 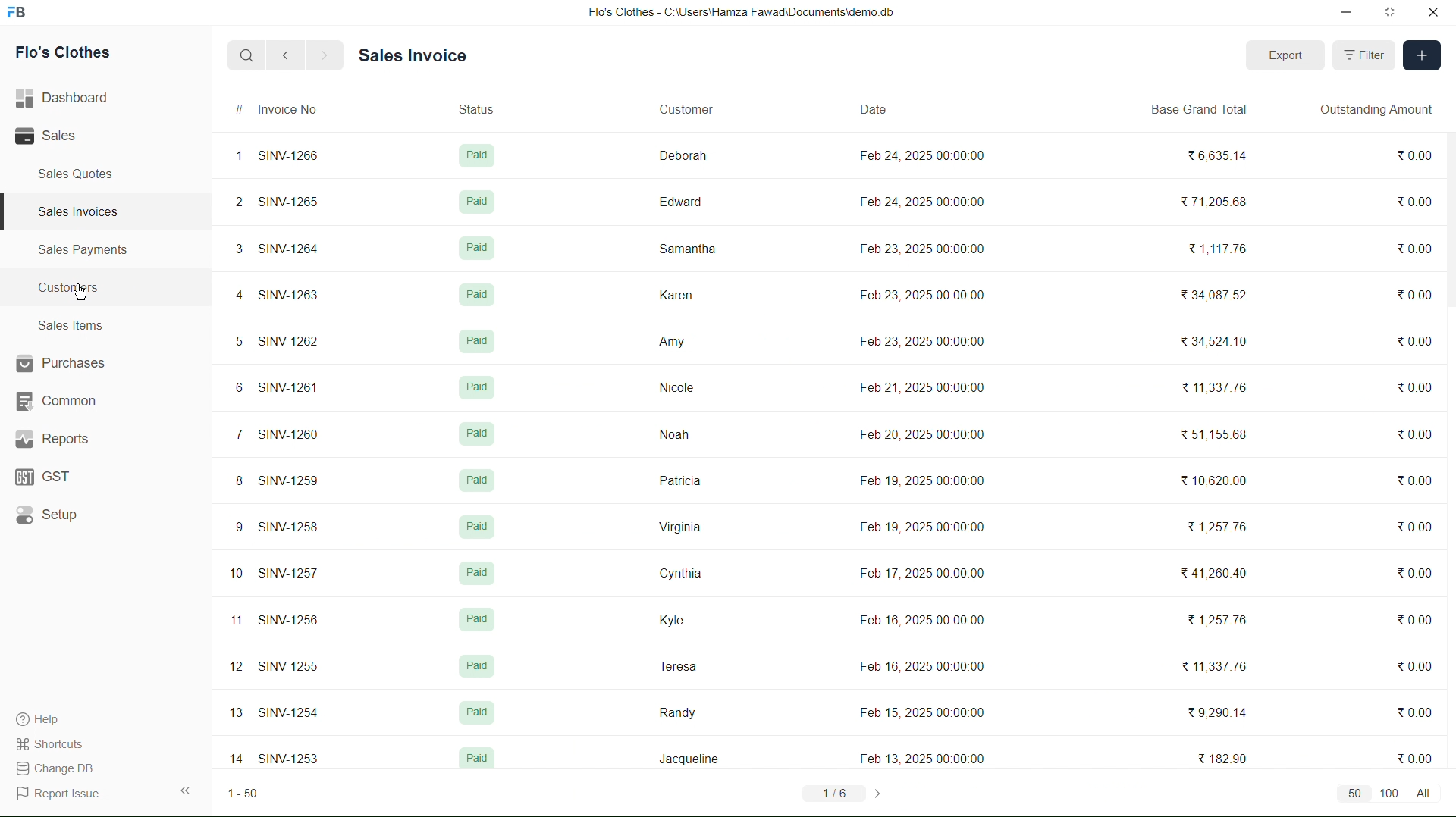 What do you see at coordinates (243, 55) in the screenshot?
I see `search` at bounding box center [243, 55].